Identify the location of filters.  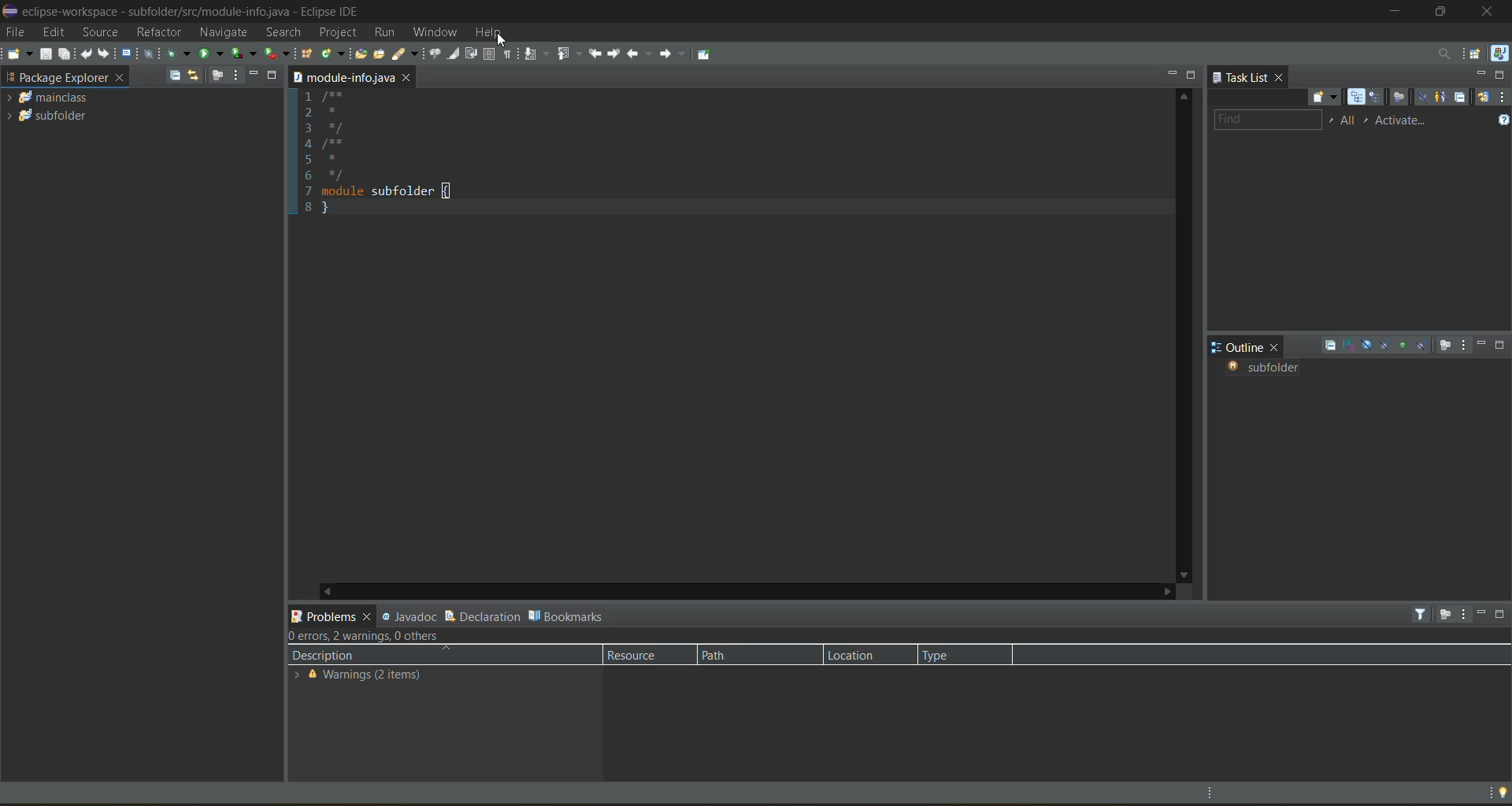
(1423, 615).